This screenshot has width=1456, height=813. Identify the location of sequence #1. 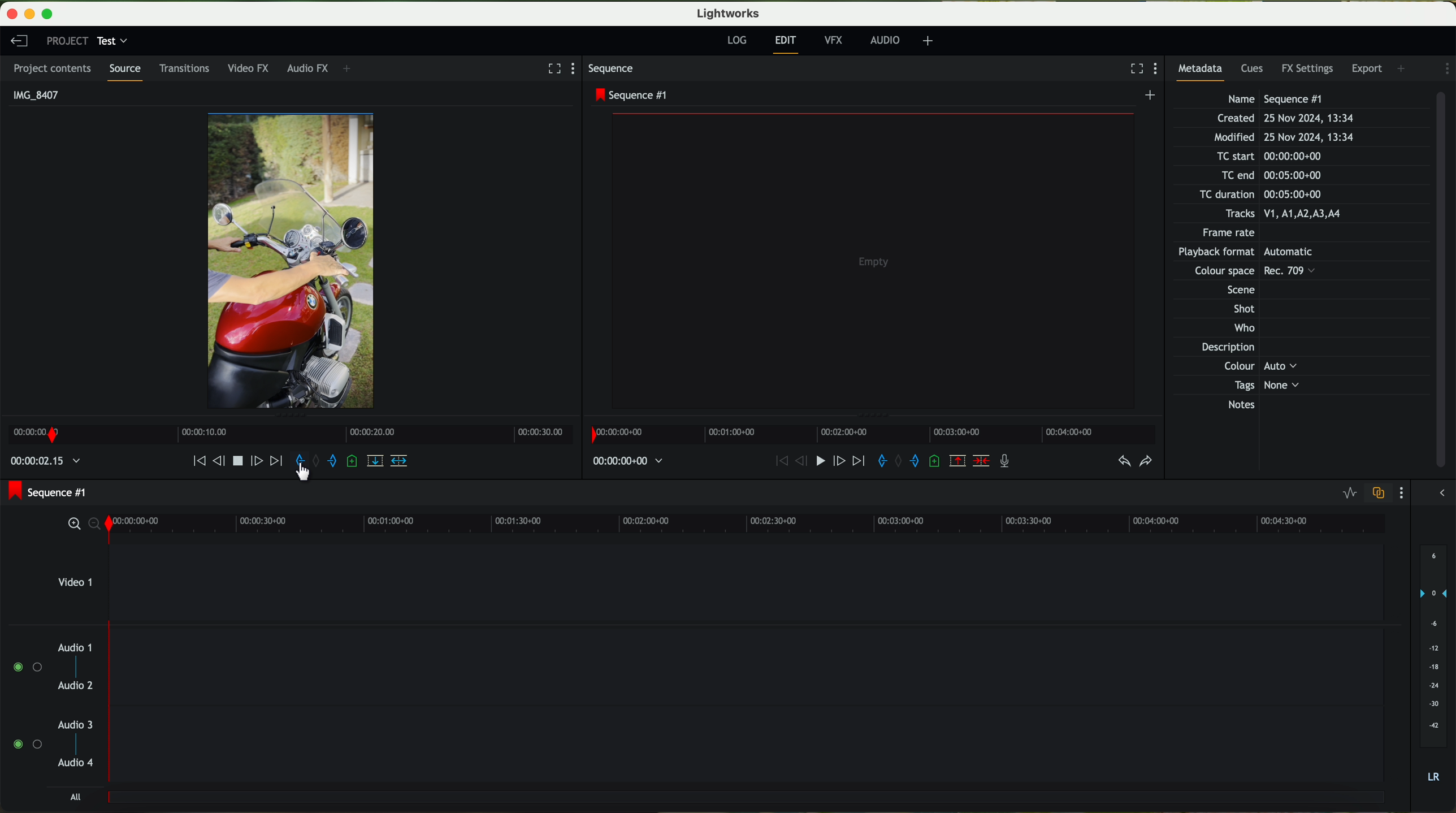
(631, 95).